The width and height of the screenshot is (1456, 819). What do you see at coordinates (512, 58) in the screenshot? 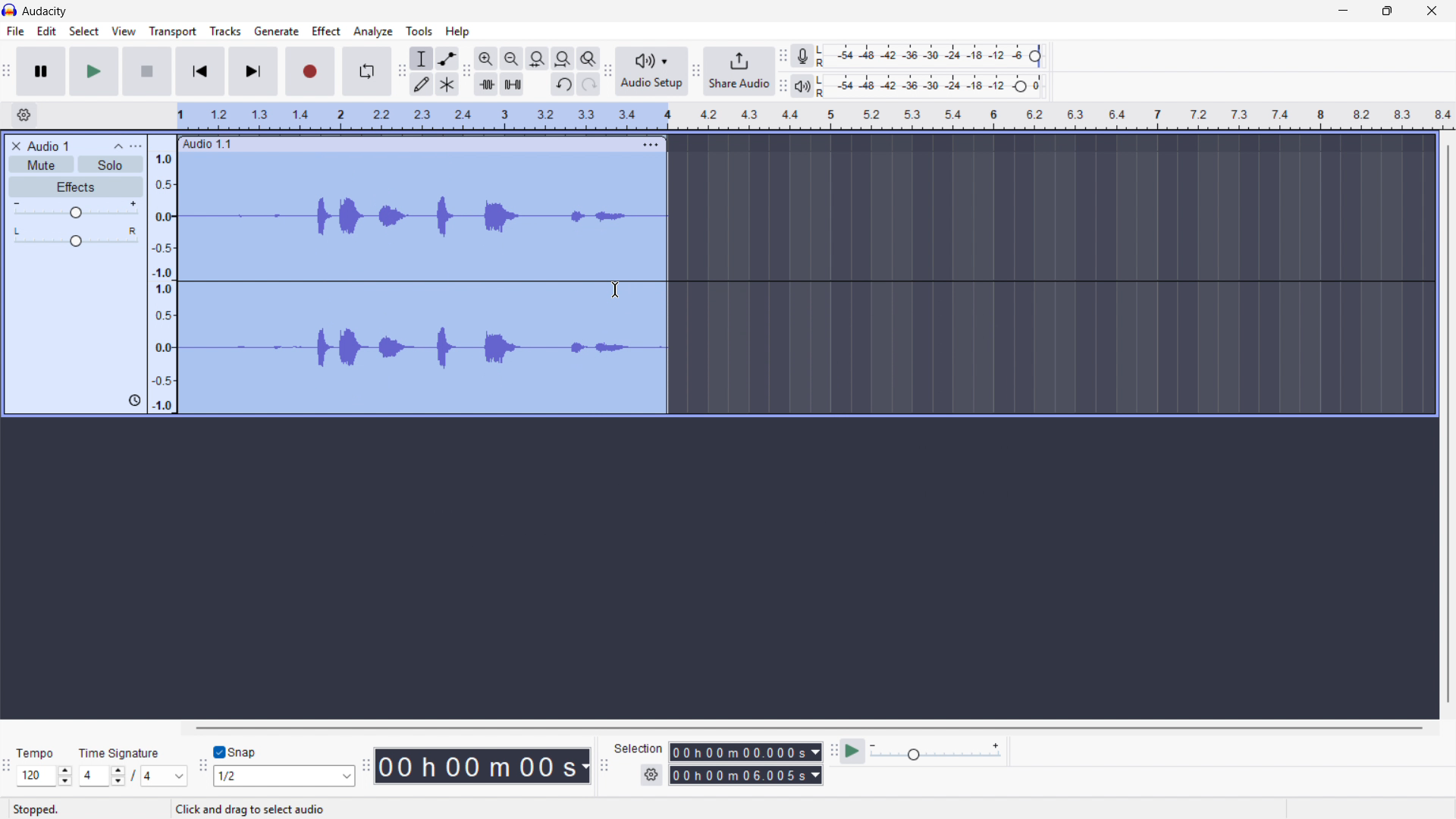
I see `Zoom out` at bounding box center [512, 58].